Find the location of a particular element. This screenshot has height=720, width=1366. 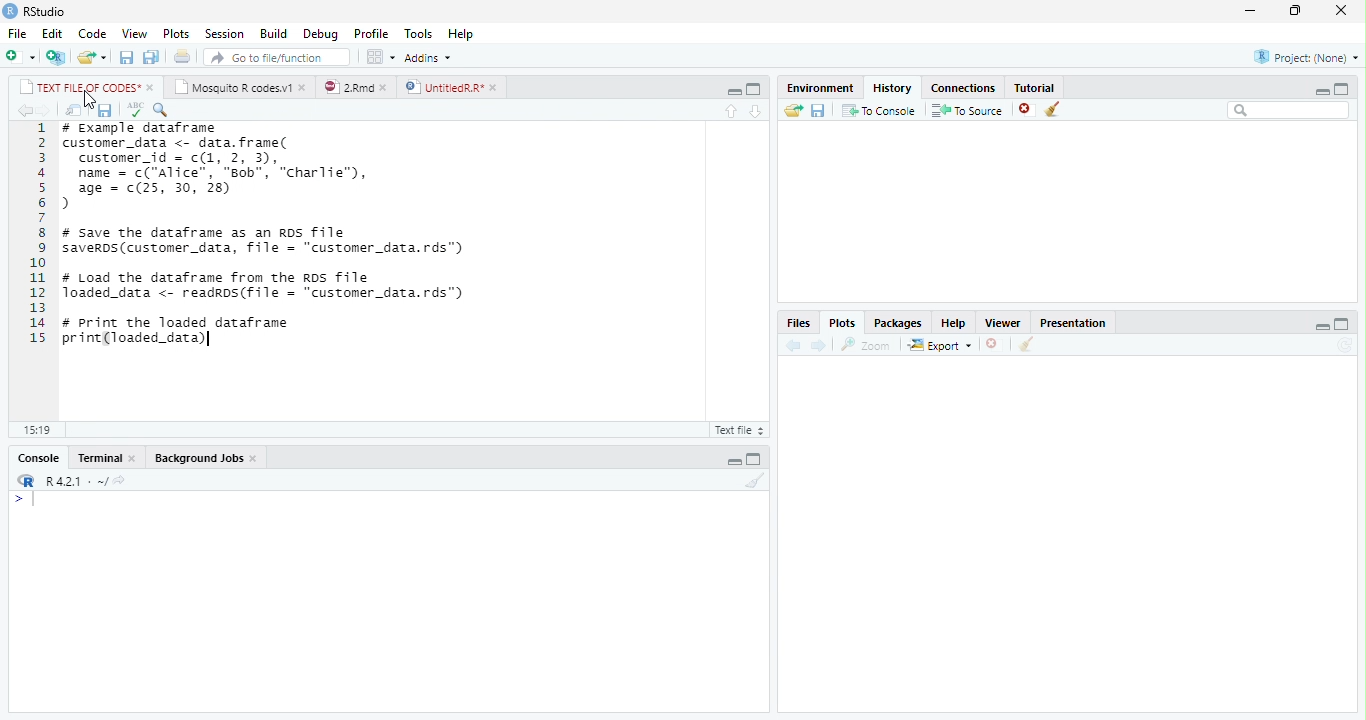

close is located at coordinates (995, 344).